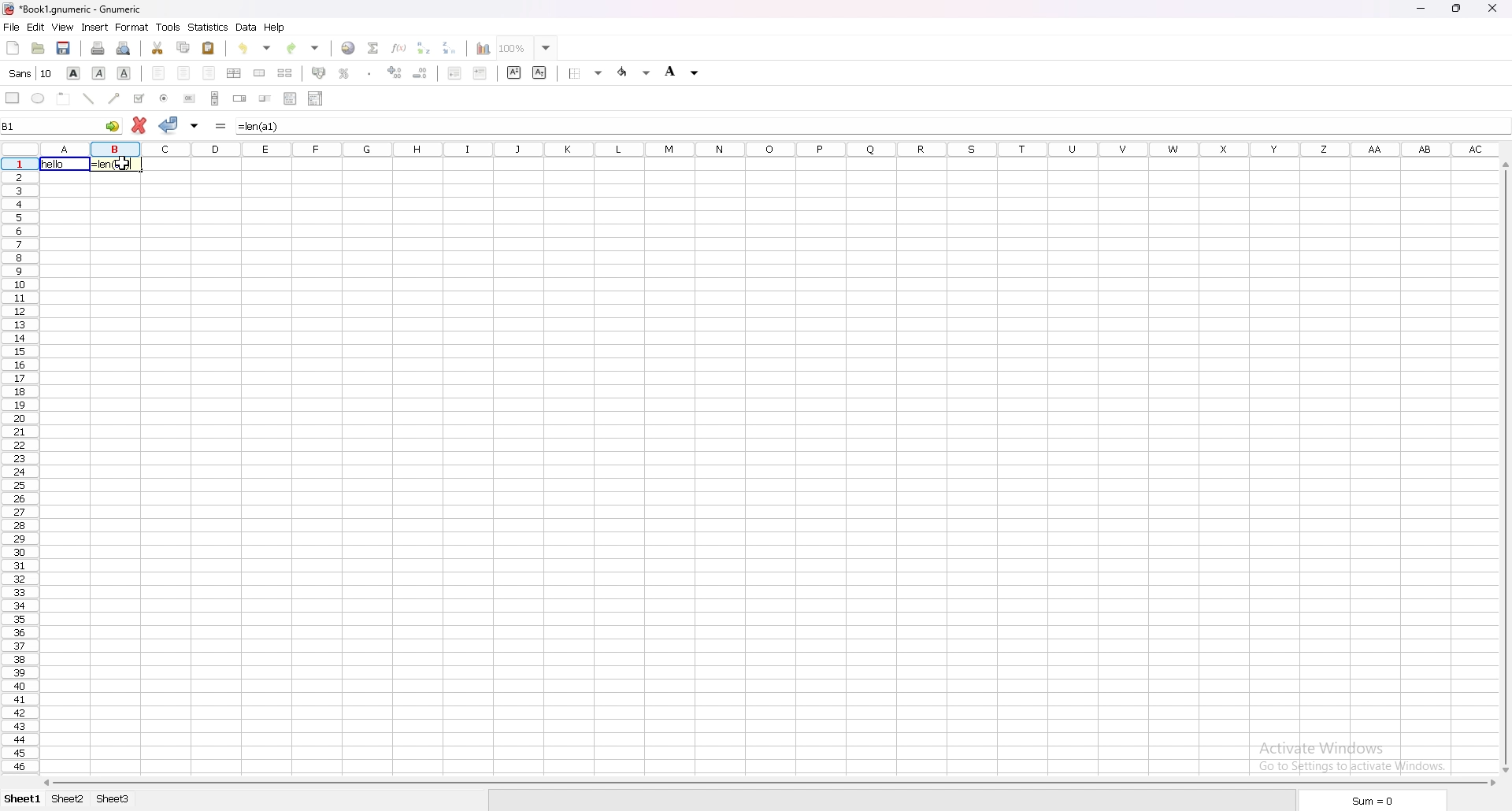 The width and height of the screenshot is (1512, 811). What do you see at coordinates (321, 74) in the screenshot?
I see `accounting format` at bounding box center [321, 74].